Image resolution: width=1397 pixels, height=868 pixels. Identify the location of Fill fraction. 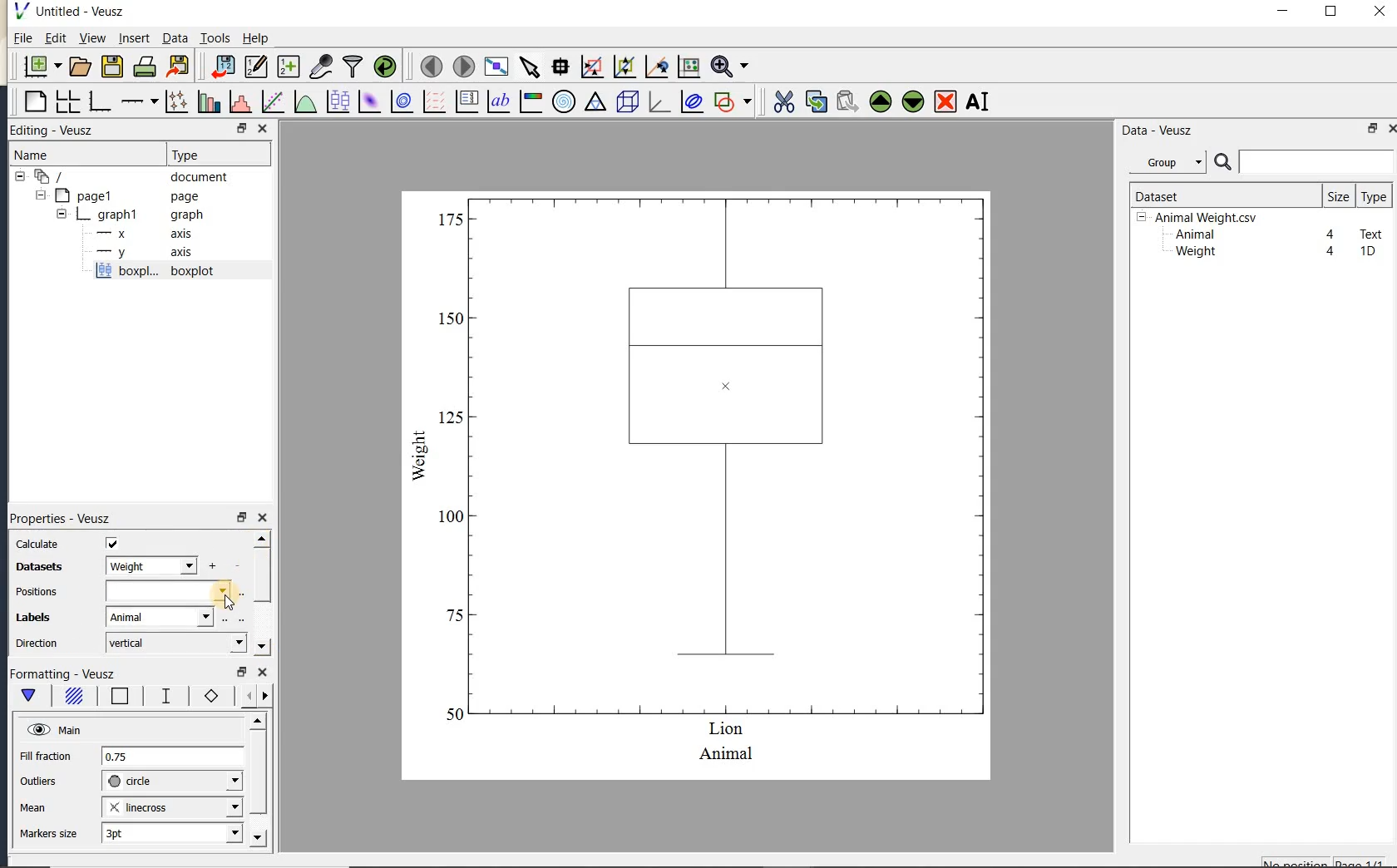
(46, 757).